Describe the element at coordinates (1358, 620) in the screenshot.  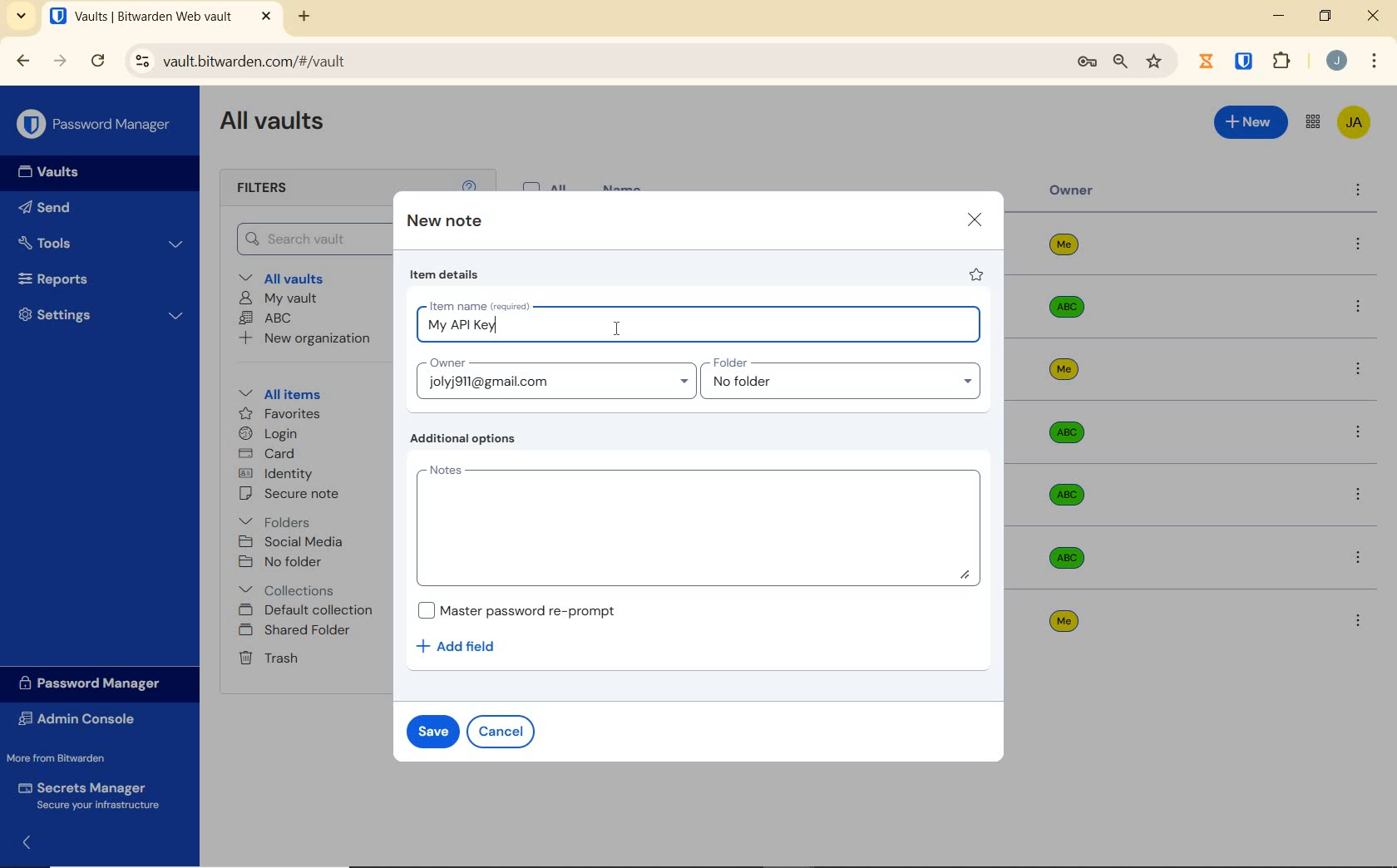
I see `more options` at that location.